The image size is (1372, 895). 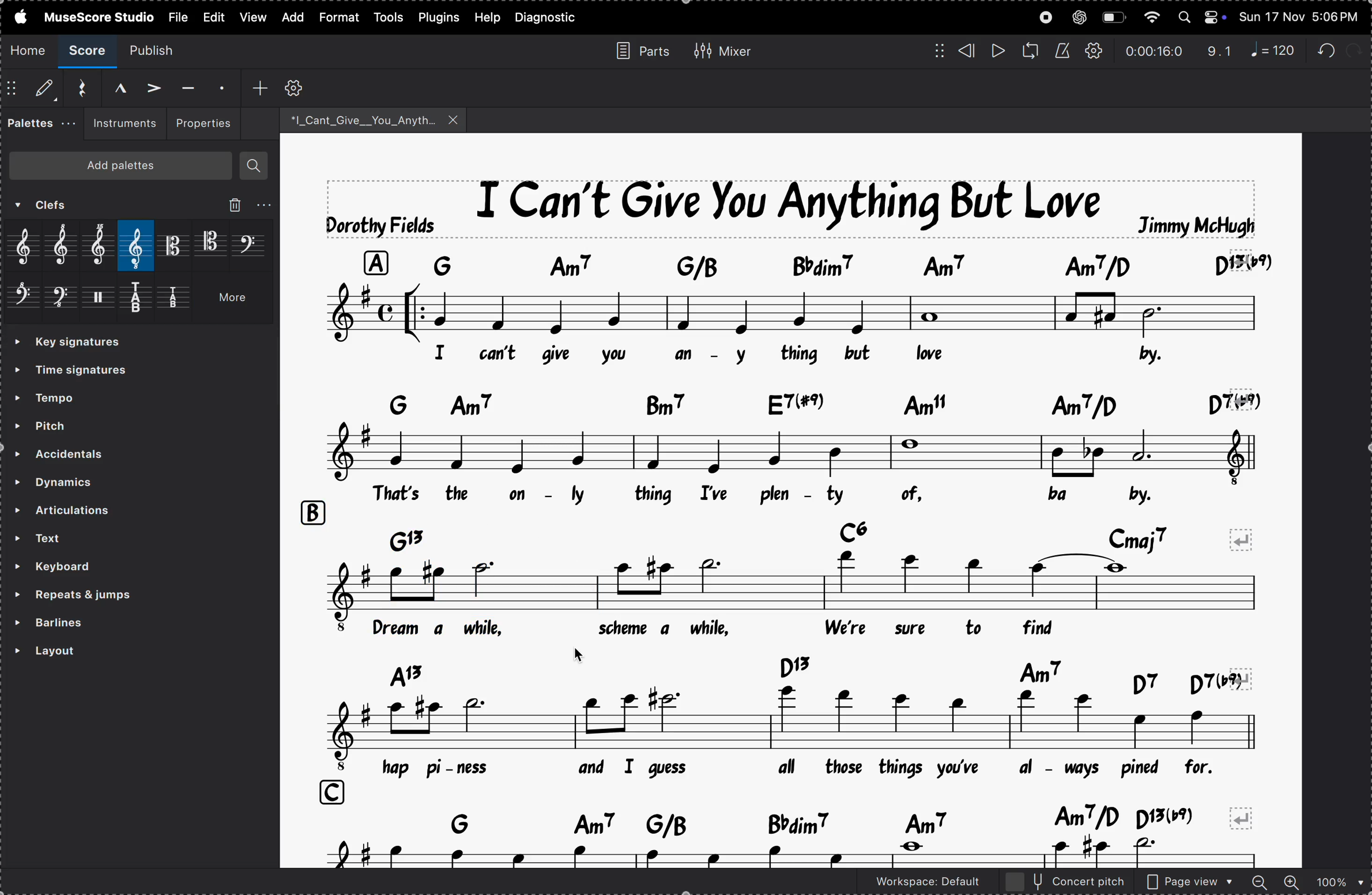 What do you see at coordinates (337, 18) in the screenshot?
I see `format` at bounding box center [337, 18].